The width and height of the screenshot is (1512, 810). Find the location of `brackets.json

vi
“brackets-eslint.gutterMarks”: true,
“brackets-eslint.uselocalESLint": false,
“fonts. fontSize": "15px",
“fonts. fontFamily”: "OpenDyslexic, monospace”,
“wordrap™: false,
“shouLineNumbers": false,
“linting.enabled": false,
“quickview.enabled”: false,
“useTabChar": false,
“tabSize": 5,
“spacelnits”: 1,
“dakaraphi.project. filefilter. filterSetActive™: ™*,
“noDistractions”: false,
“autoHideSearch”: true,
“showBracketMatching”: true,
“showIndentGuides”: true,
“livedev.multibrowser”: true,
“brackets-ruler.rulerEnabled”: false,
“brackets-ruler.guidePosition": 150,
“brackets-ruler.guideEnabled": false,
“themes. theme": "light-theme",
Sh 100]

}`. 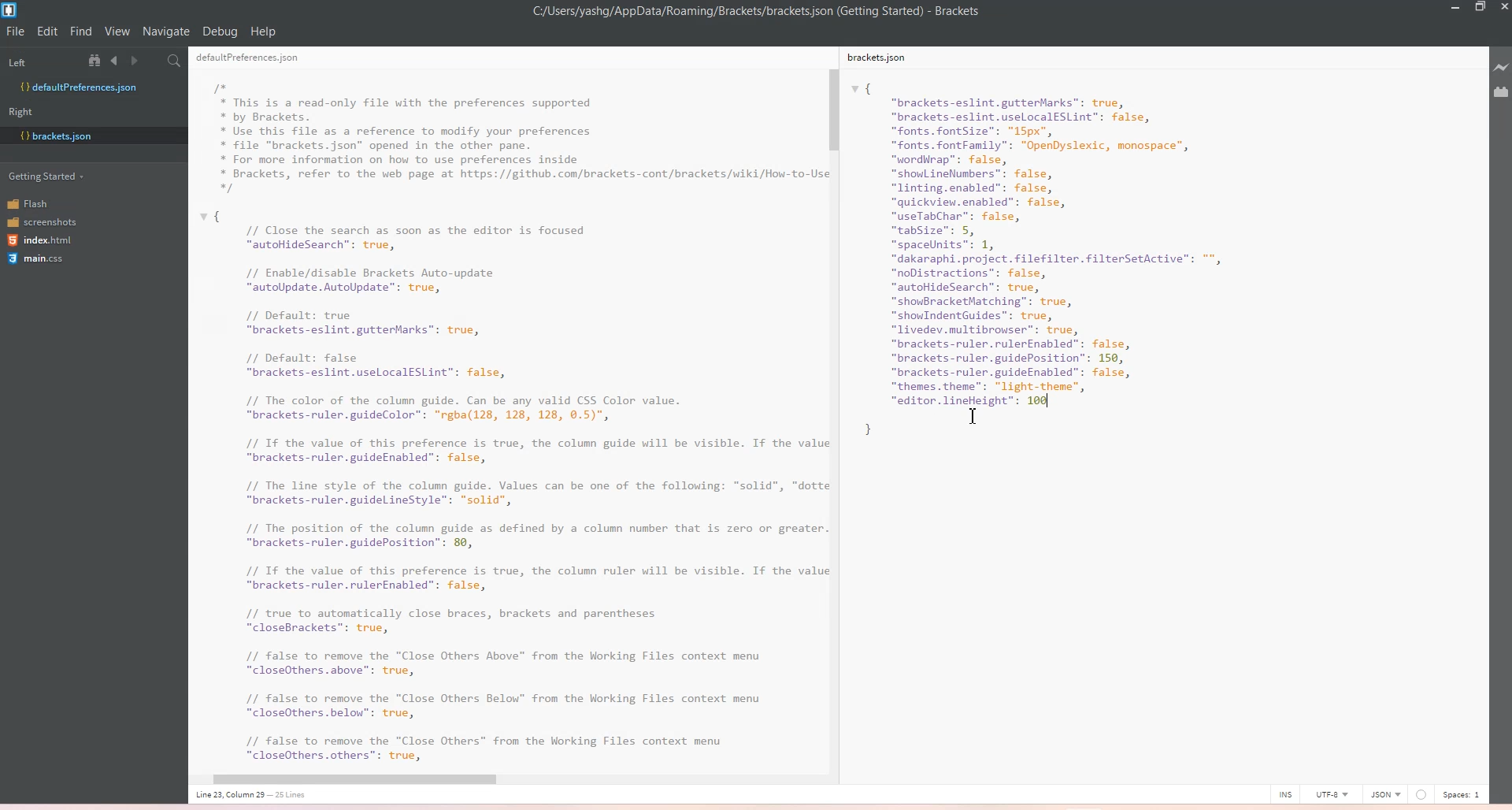

brackets.json

vi
“brackets-eslint.gutterMarks”: true,
“brackets-eslint.uselocalESLint": false,
“fonts. fontSize": "15px",
“fonts. fontFamily”: "OpenDyslexic, monospace”,
“wordrap™: false,
“shouLineNumbers": false,
“linting.enabled": false,
“quickview.enabled”: false,
“useTabChar": false,
“tabSize": 5,
“spacelnits”: 1,
“dakaraphi.project. filefilter. filterSetActive™: ™*,
“noDistractions”: false,
“autoHideSearch”: true,
“showBracketMatching”: true,
“showIndentGuides”: true,
“livedev.multibrowser”: true,
“brackets-ruler.rulerEnabled”: false,
“brackets-ruler.guidePosition": 150,
“brackets-ruler.guideEnabled": false,
“themes. theme": "light-theme",
Sh 100]

} is located at coordinates (1067, 271).